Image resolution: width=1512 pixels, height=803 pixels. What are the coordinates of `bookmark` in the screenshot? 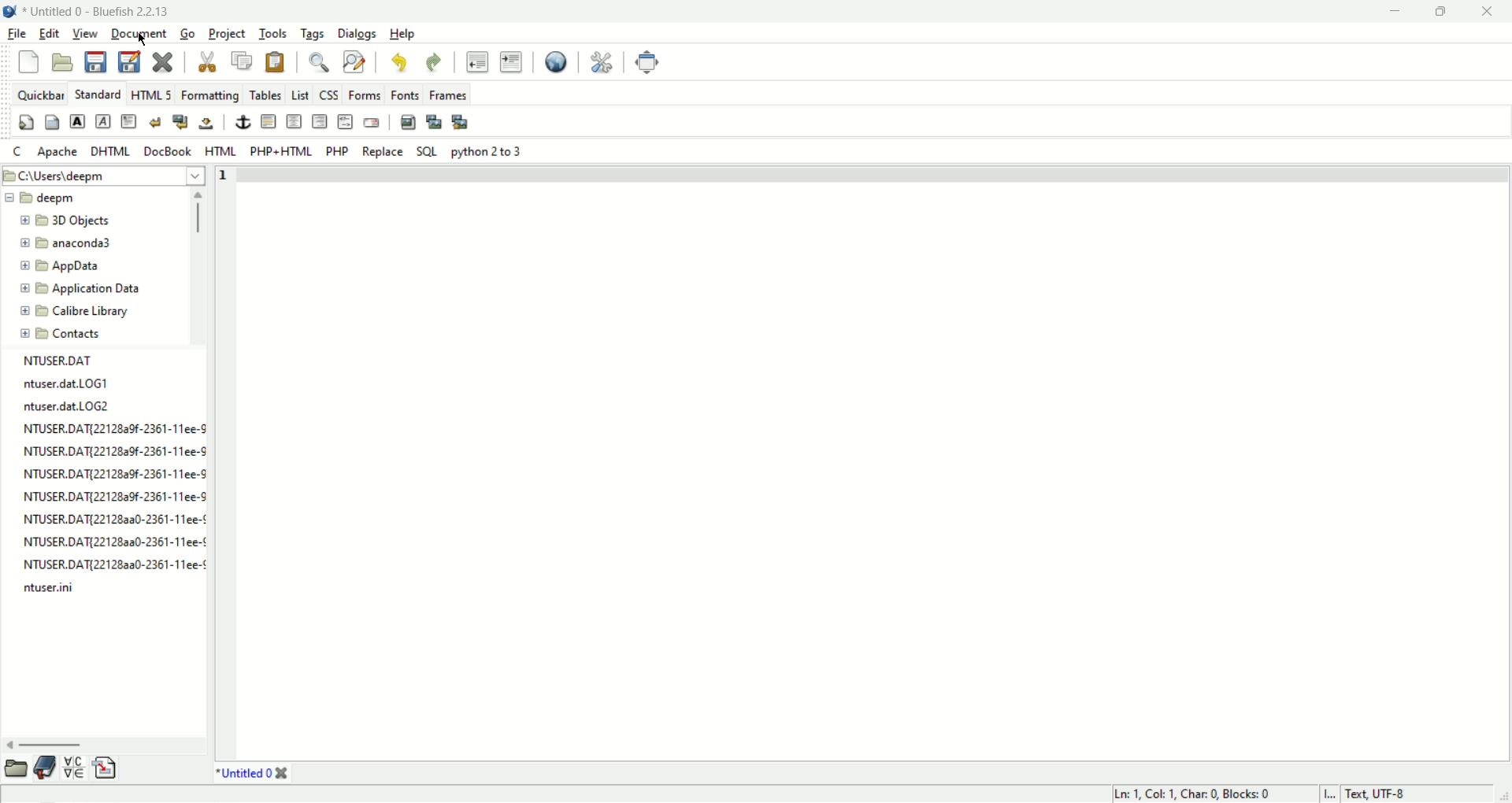 It's located at (48, 769).